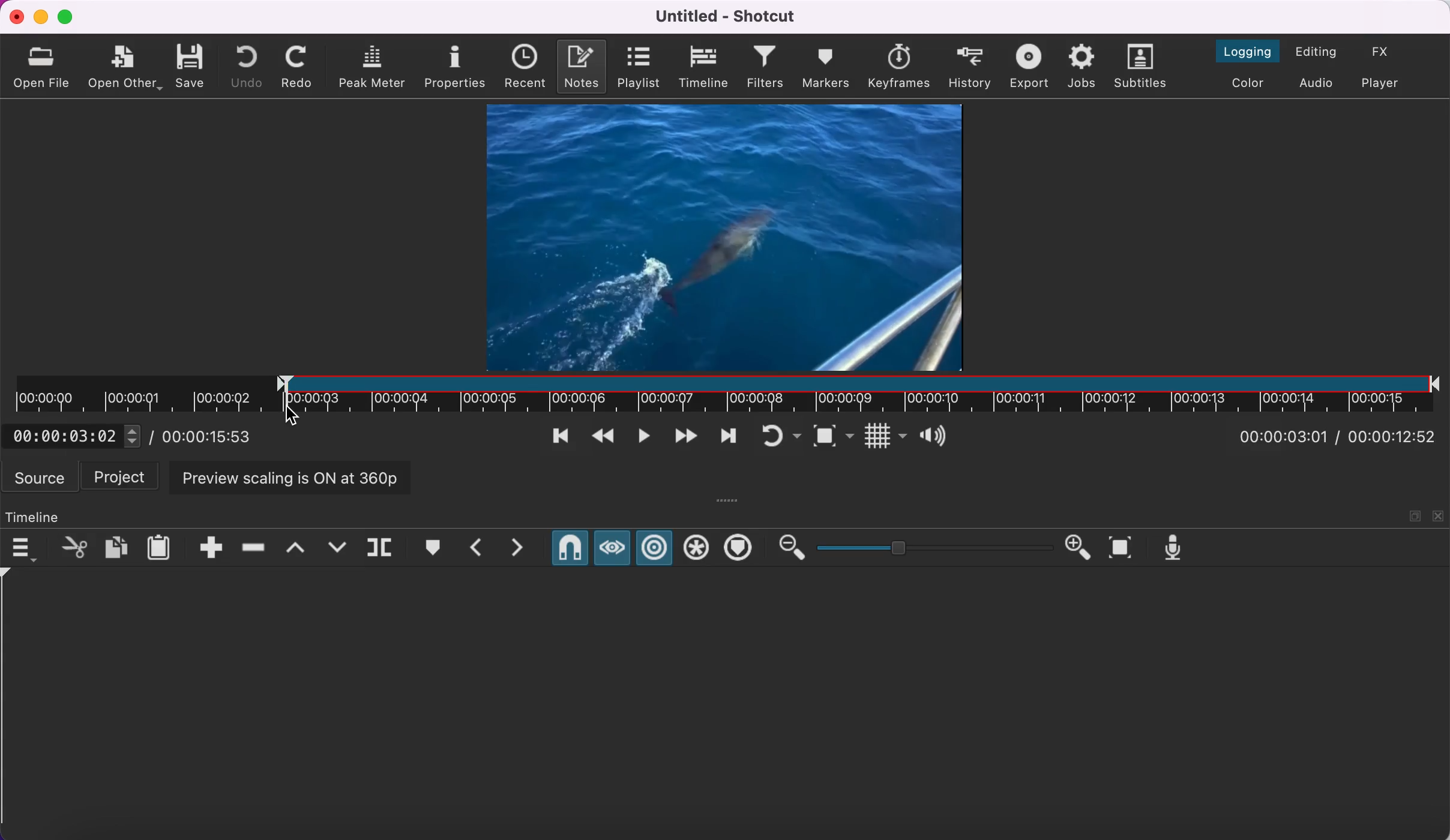 The width and height of the screenshot is (1450, 840). I want to click on zoom timeline to fit, so click(1125, 548).